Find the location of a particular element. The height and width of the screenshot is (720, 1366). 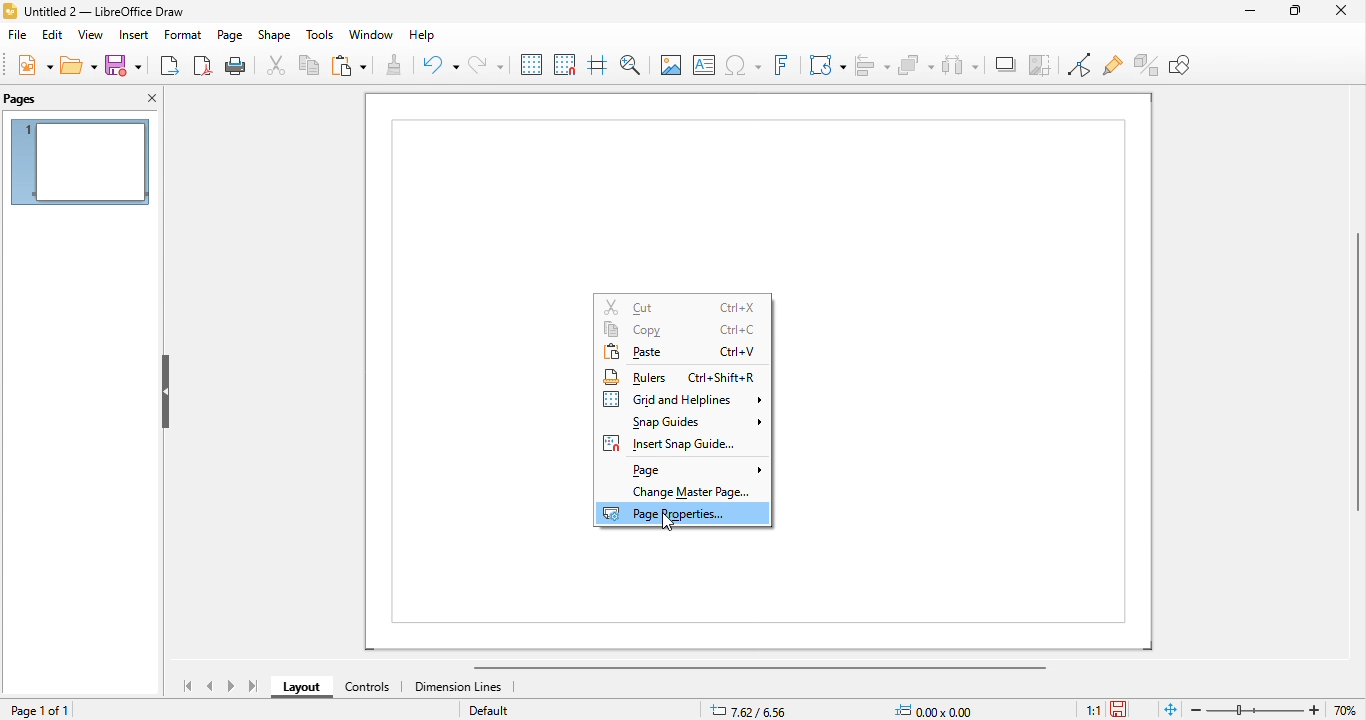

fit page to current window is located at coordinates (1172, 709).